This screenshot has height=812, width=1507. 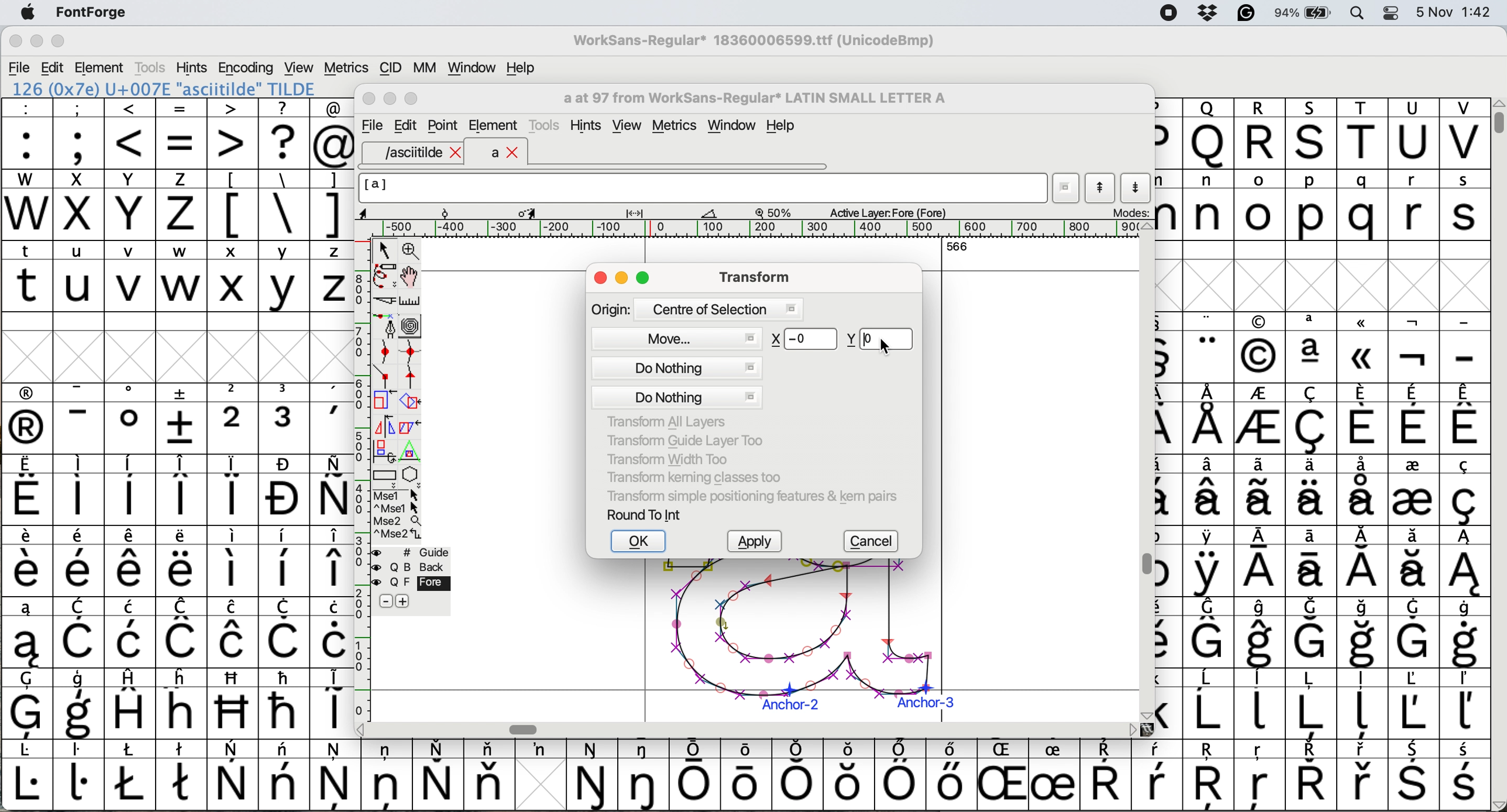 What do you see at coordinates (546, 123) in the screenshot?
I see `tools` at bounding box center [546, 123].